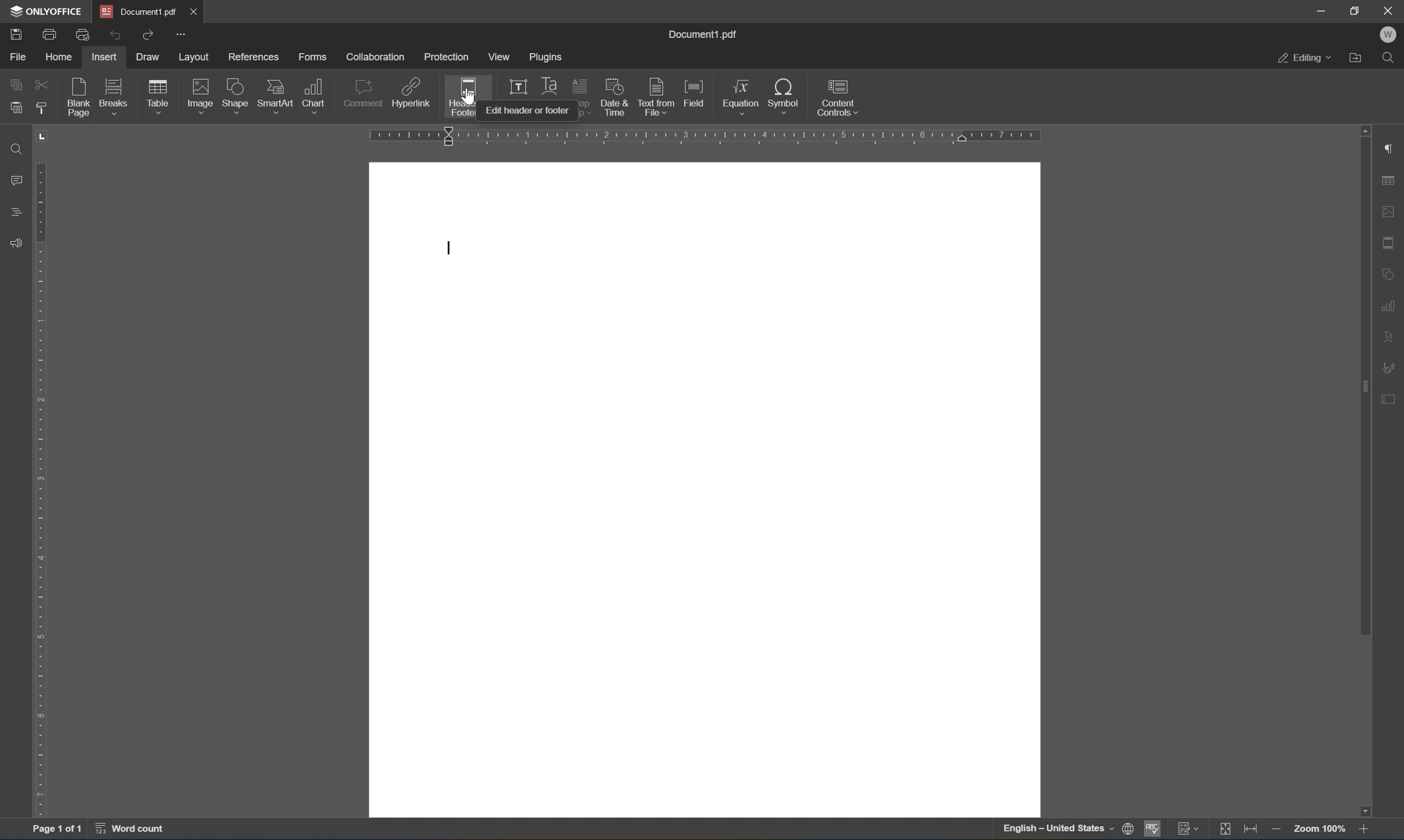 The image size is (1404, 840). Describe the element at coordinates (1358, 59) in the screenshot. I see `open file location` at that location.